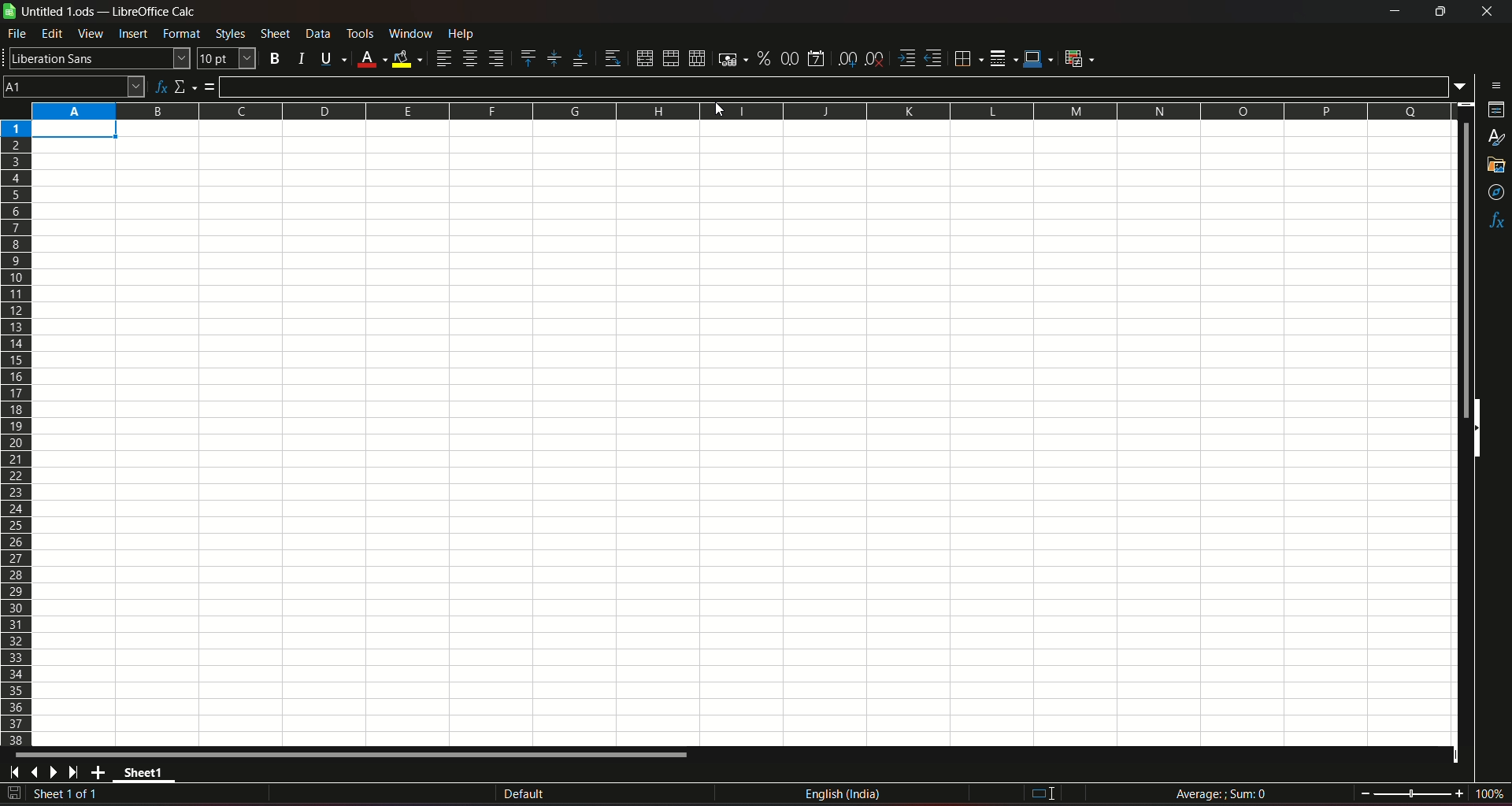  I want to click on navigator, so click(1495, 192).